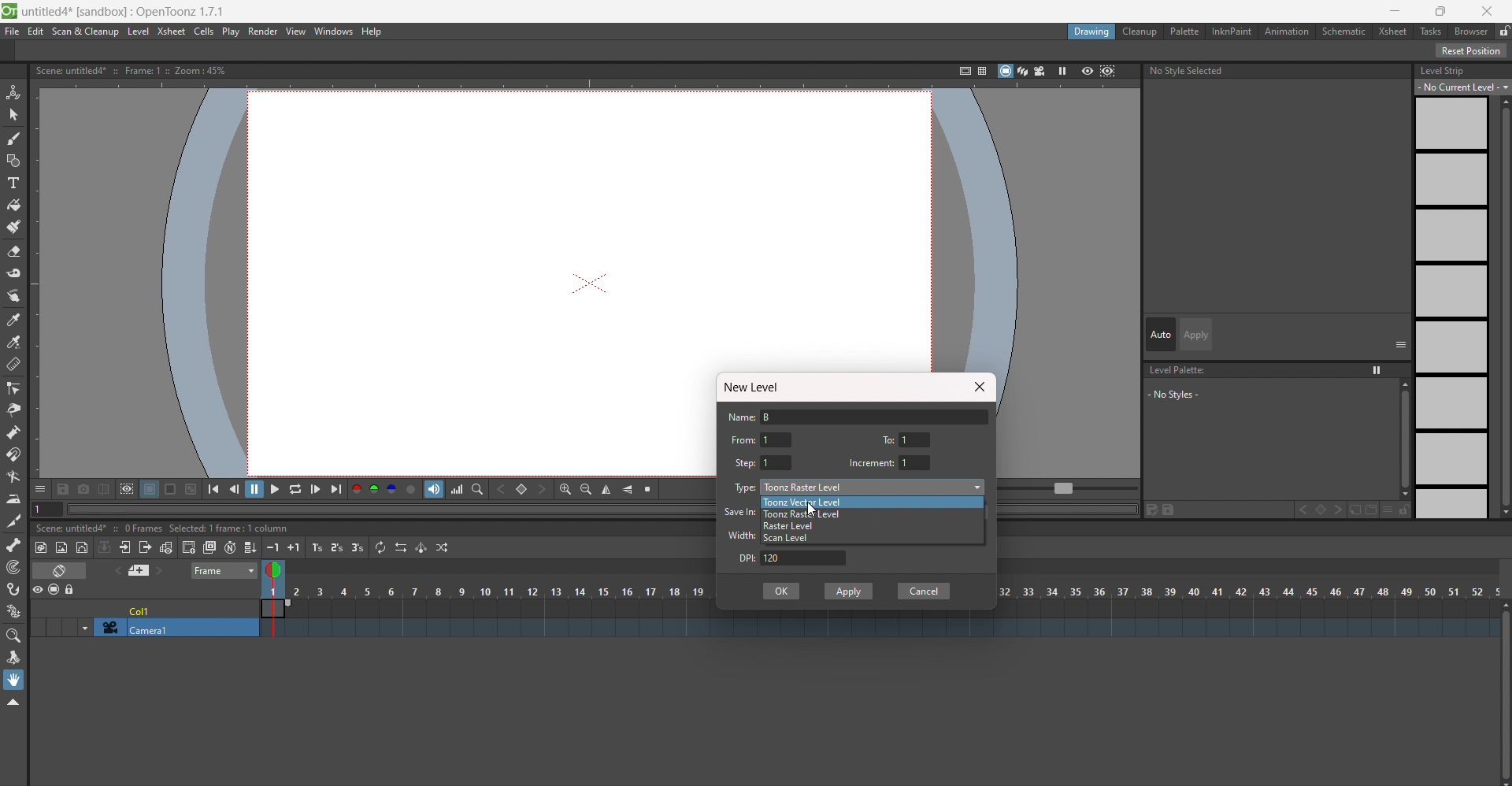  What do you see at coordinates (171, 628) in the screenshot?
I see `camera1` at bounding box center [171, 628].